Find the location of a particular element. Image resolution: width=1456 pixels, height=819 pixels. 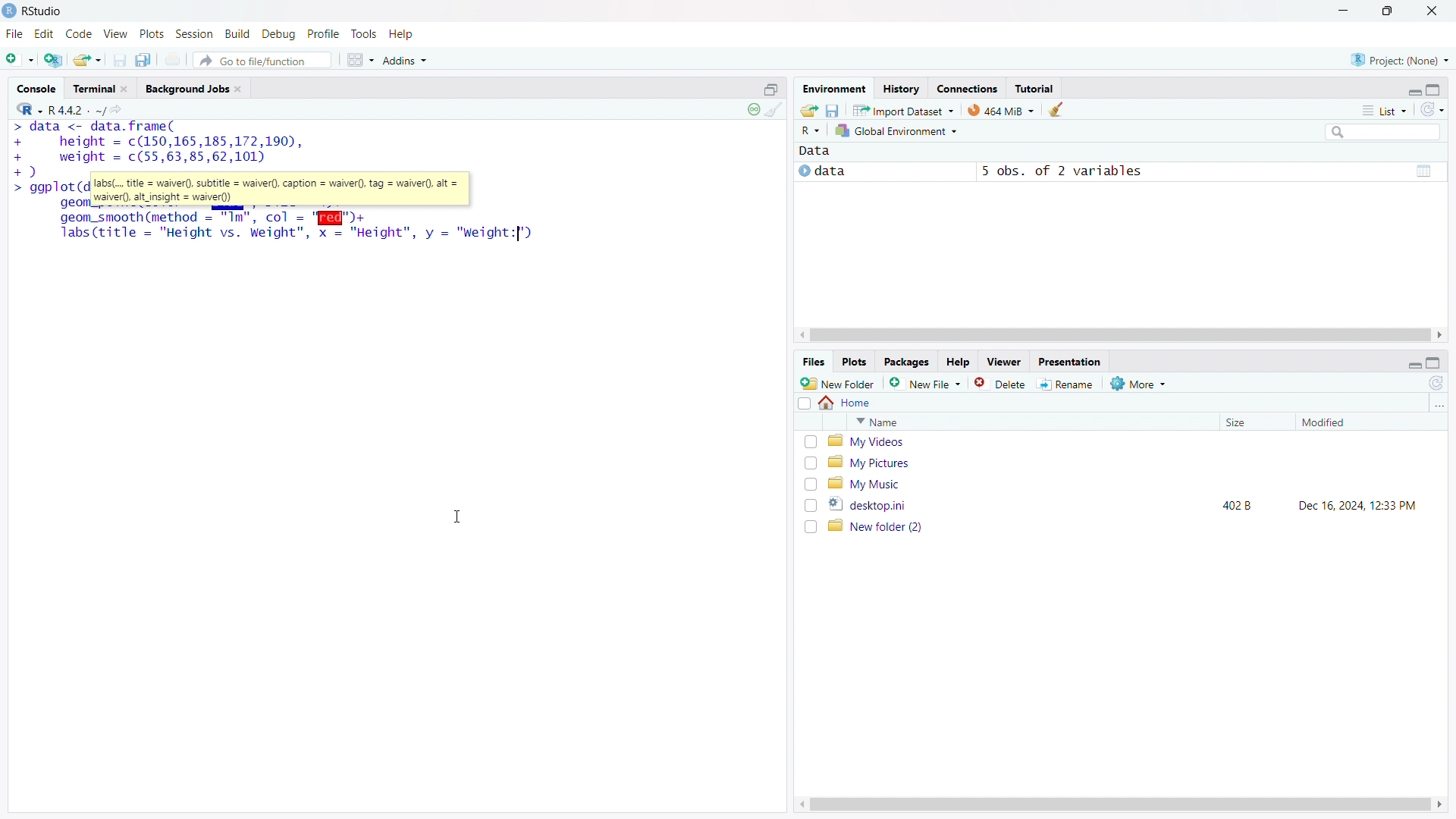

view the current working directory is located at coordinates (119, 108).